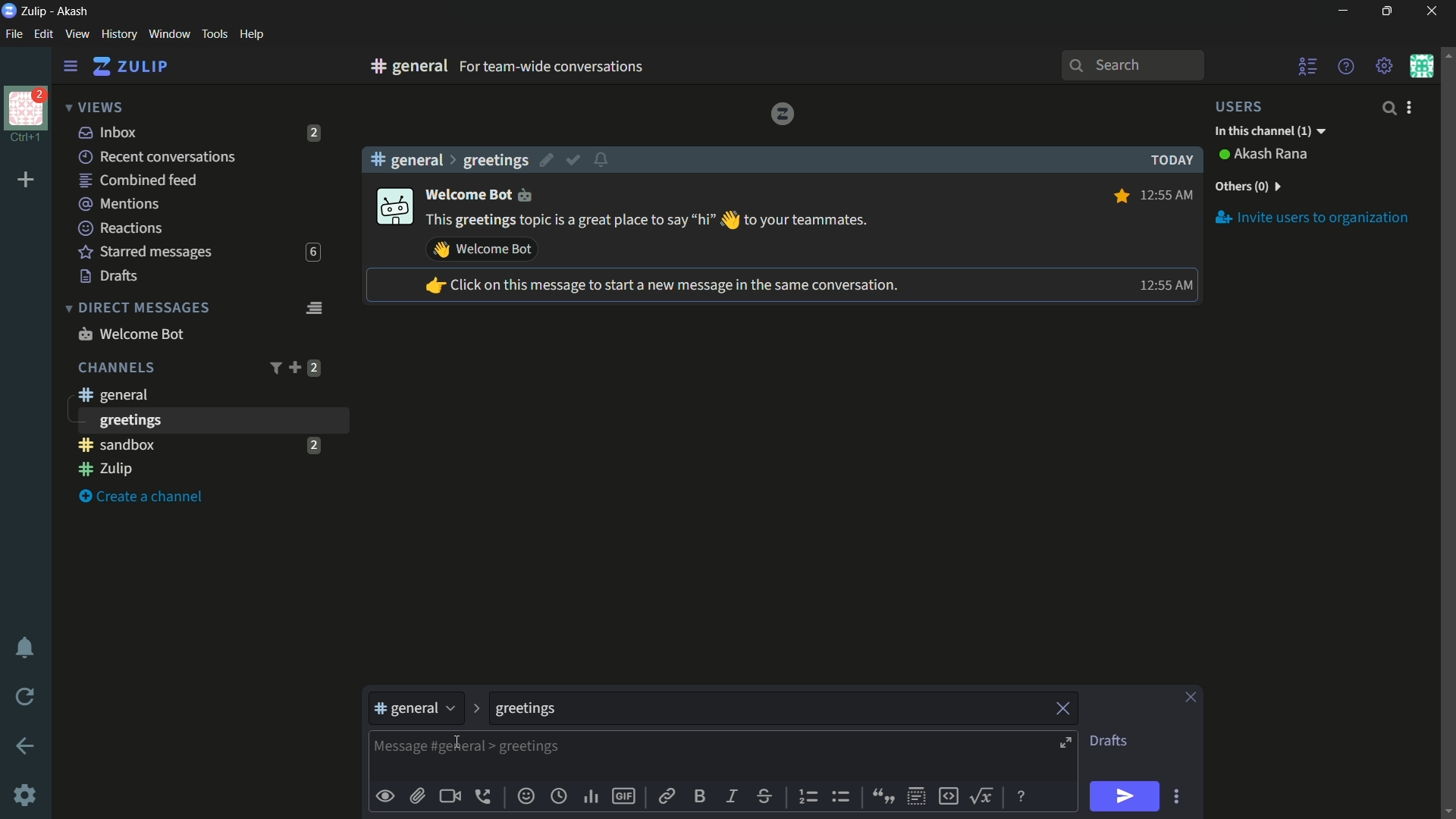 The image size is (1456, 819). What do you see at coordinates (393, 748) in the screenshot?
I see `message body` at bounding box center [393, 748].